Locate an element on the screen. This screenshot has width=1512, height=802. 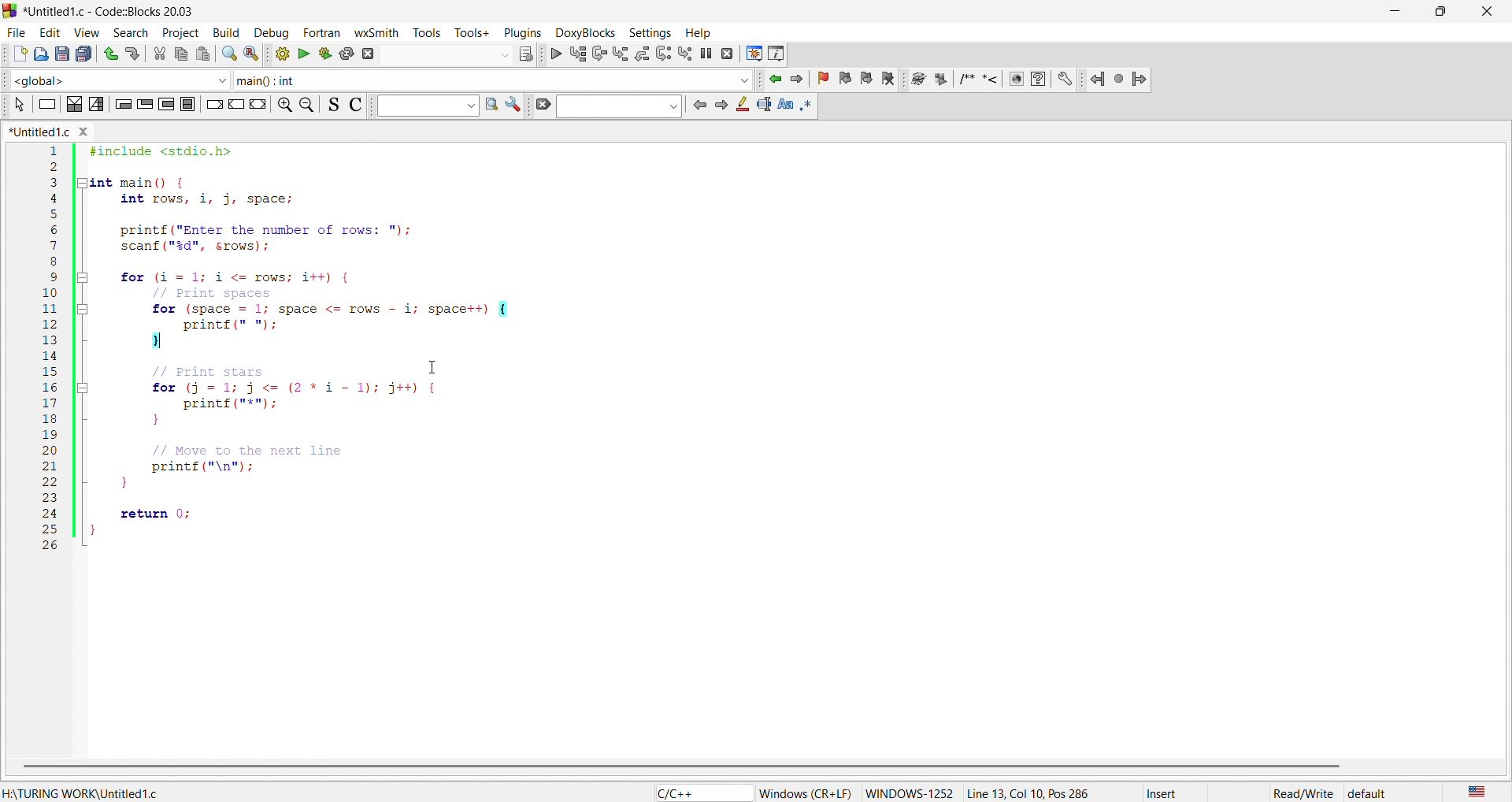
input  is located at coordinates (449, 57).